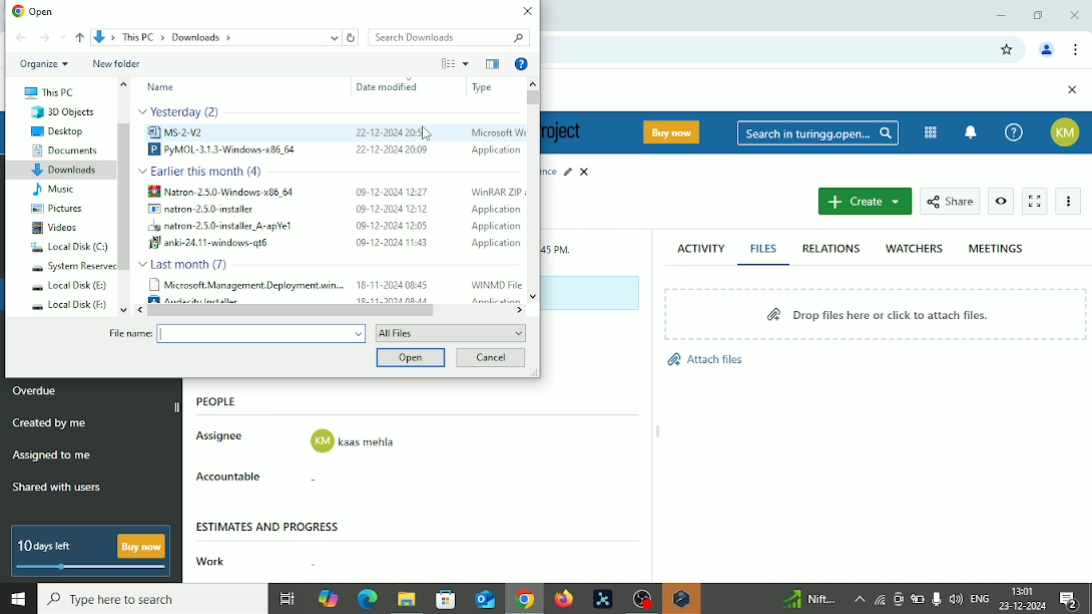 The image size is (1092, 614). What do you see at coordinates (352, 38) in the screenshot?
I see `Refresh` at bounding box center [352, 38].